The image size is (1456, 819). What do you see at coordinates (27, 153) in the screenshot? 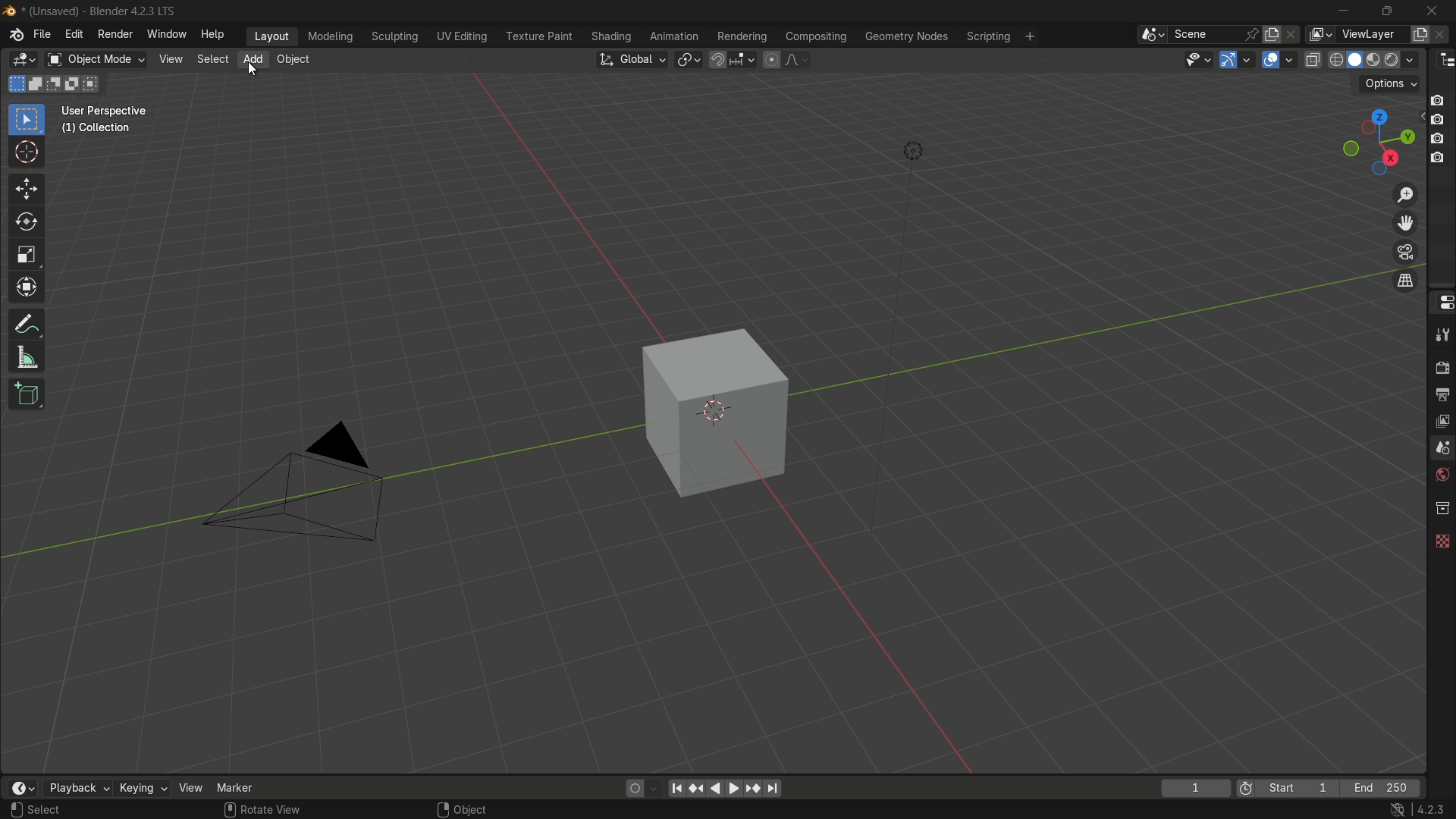
I see `cursor` at bounding box center [27, 153].